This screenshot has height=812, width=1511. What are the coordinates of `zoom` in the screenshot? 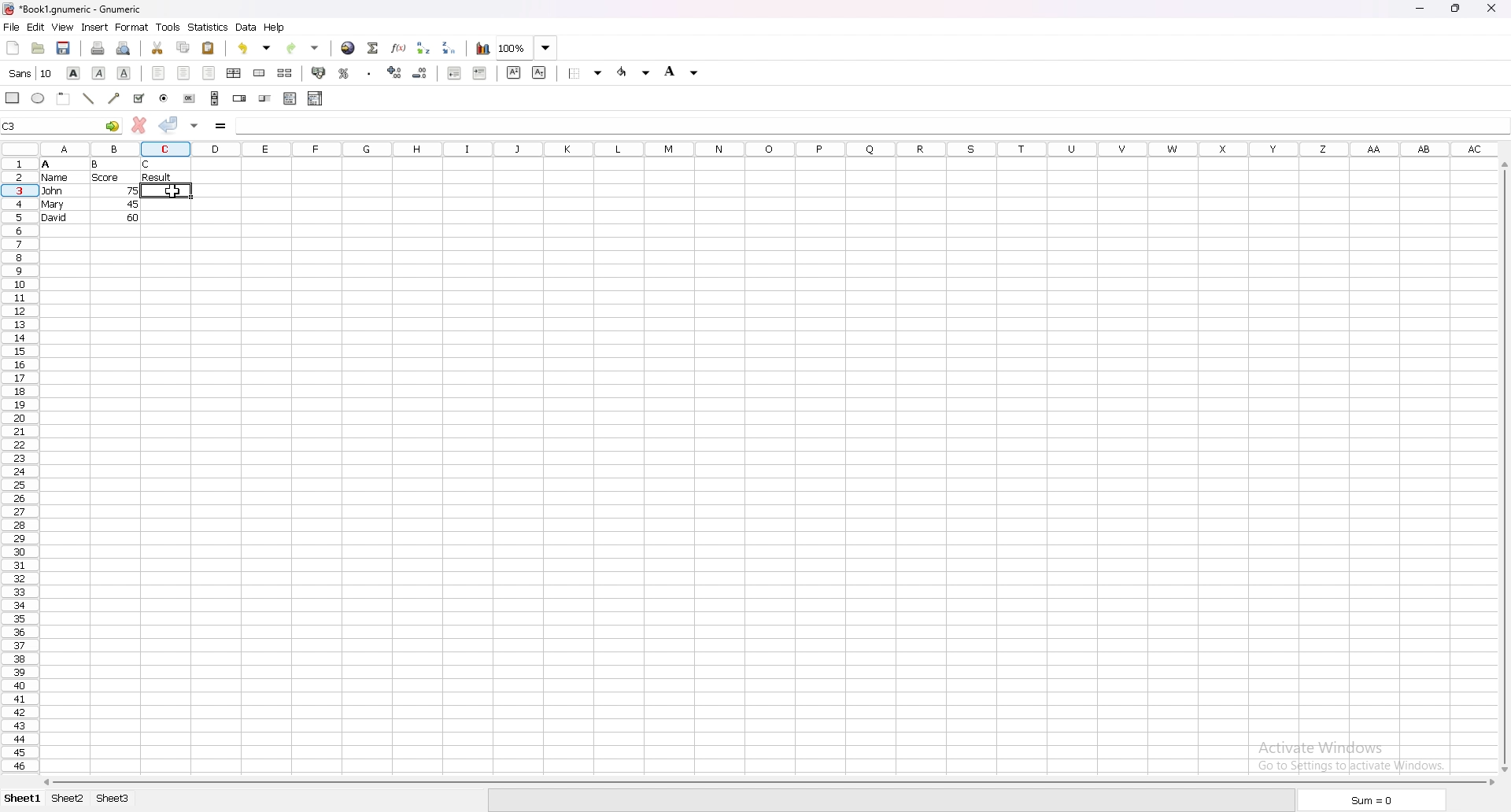 It's located at (526, 48).